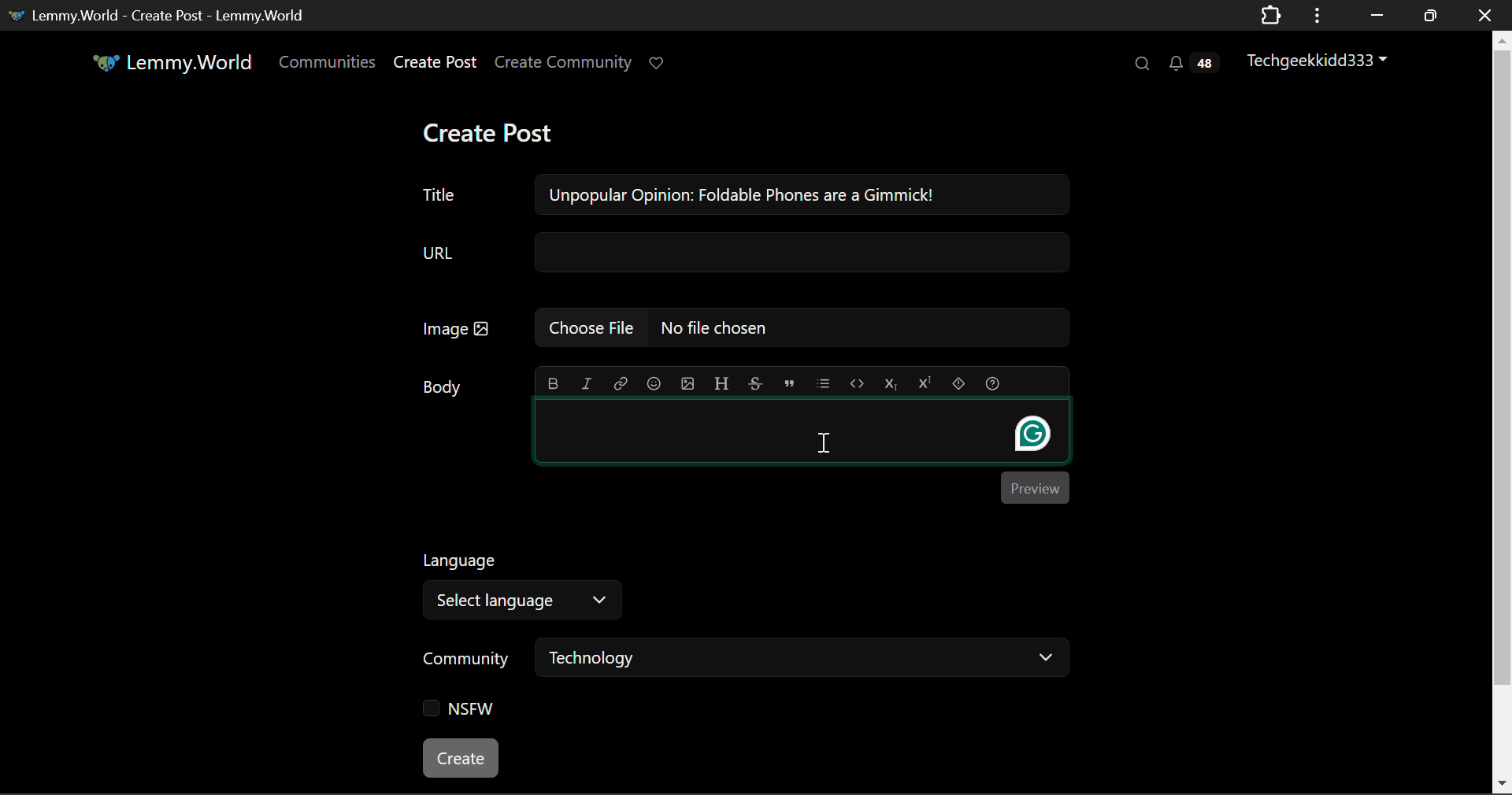  I want to click on link, so click(621, 382).